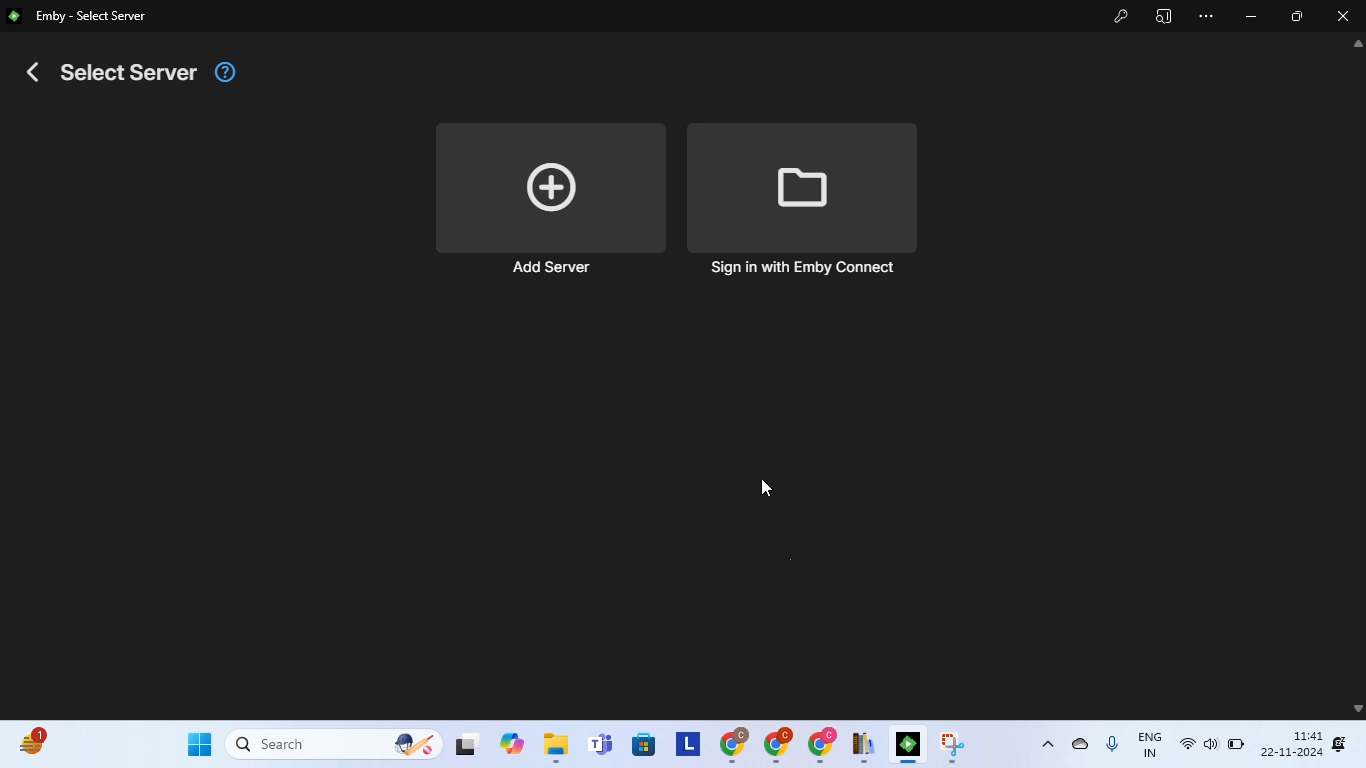 This screenshot has width=1366, height=768. What do you see at coordinates (35, 740) in the screenshot?
I see `weather forecast` at bounding box center [35, 740].